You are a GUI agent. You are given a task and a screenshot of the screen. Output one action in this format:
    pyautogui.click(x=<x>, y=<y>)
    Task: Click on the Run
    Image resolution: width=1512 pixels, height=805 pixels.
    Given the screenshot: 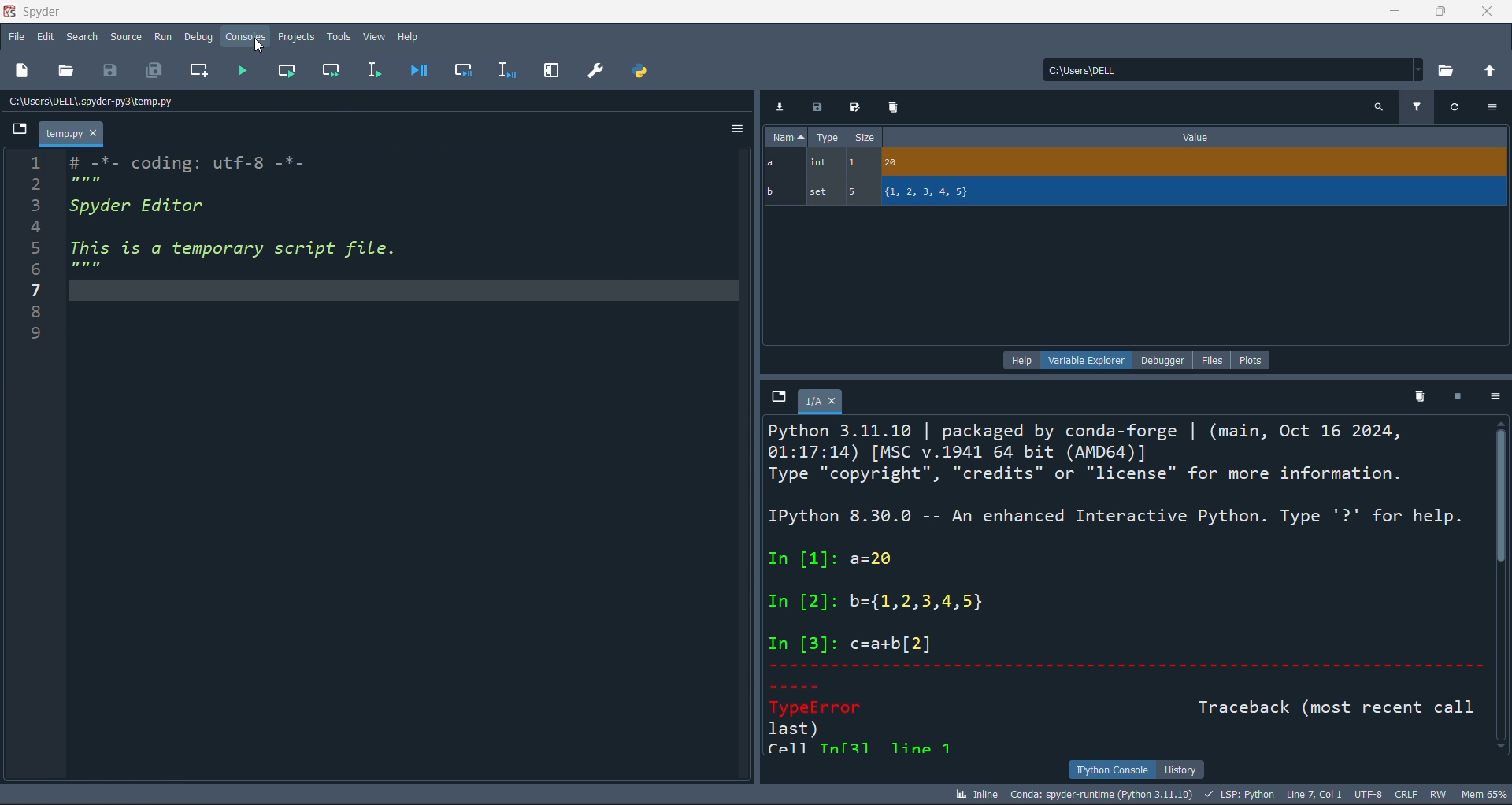 What is the action you would take?
    pyautogui.click(x=165, y=38)
    